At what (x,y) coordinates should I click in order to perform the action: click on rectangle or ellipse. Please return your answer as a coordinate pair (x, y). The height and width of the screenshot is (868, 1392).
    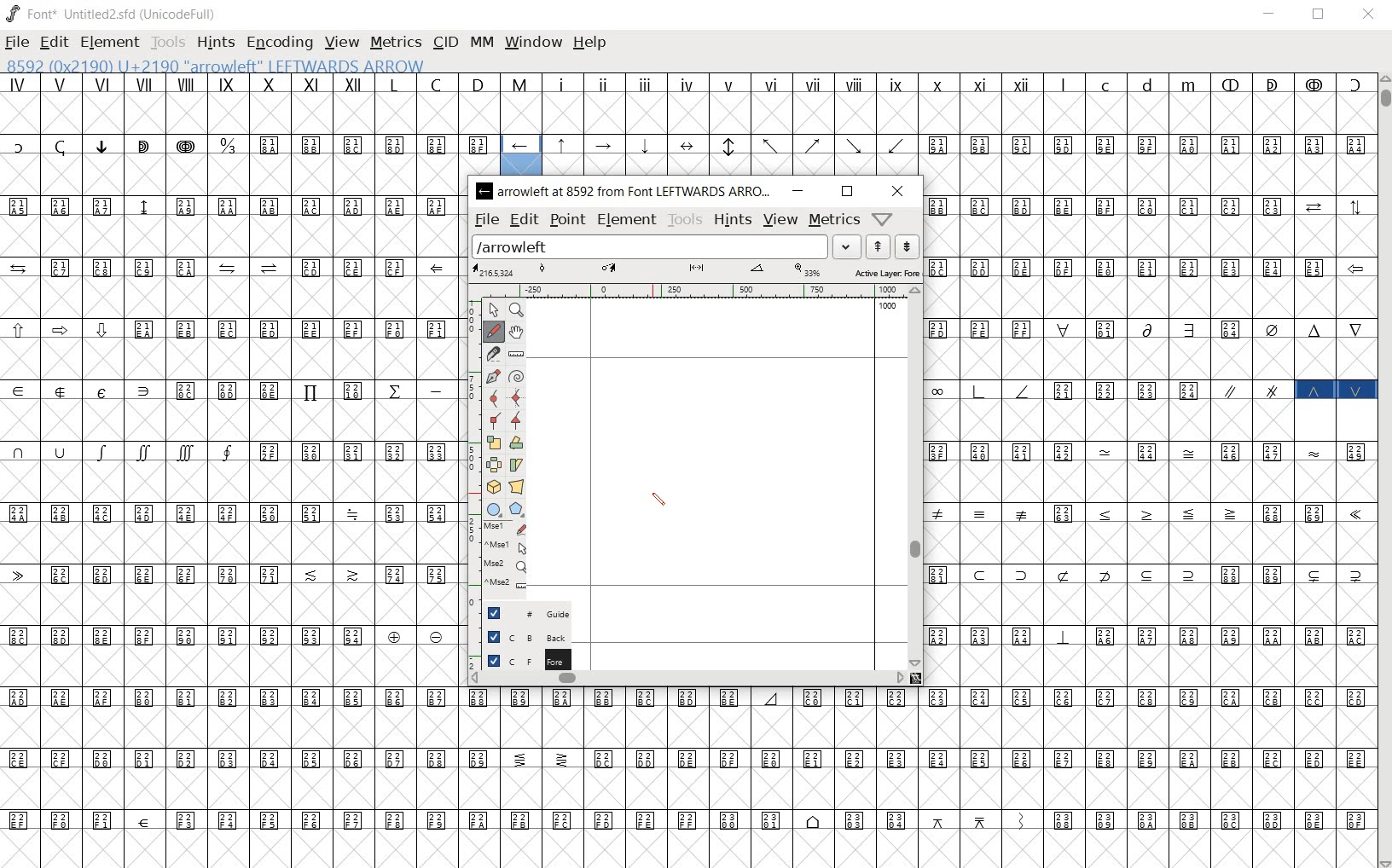
    Looking at the image, I should click on (495, 510).